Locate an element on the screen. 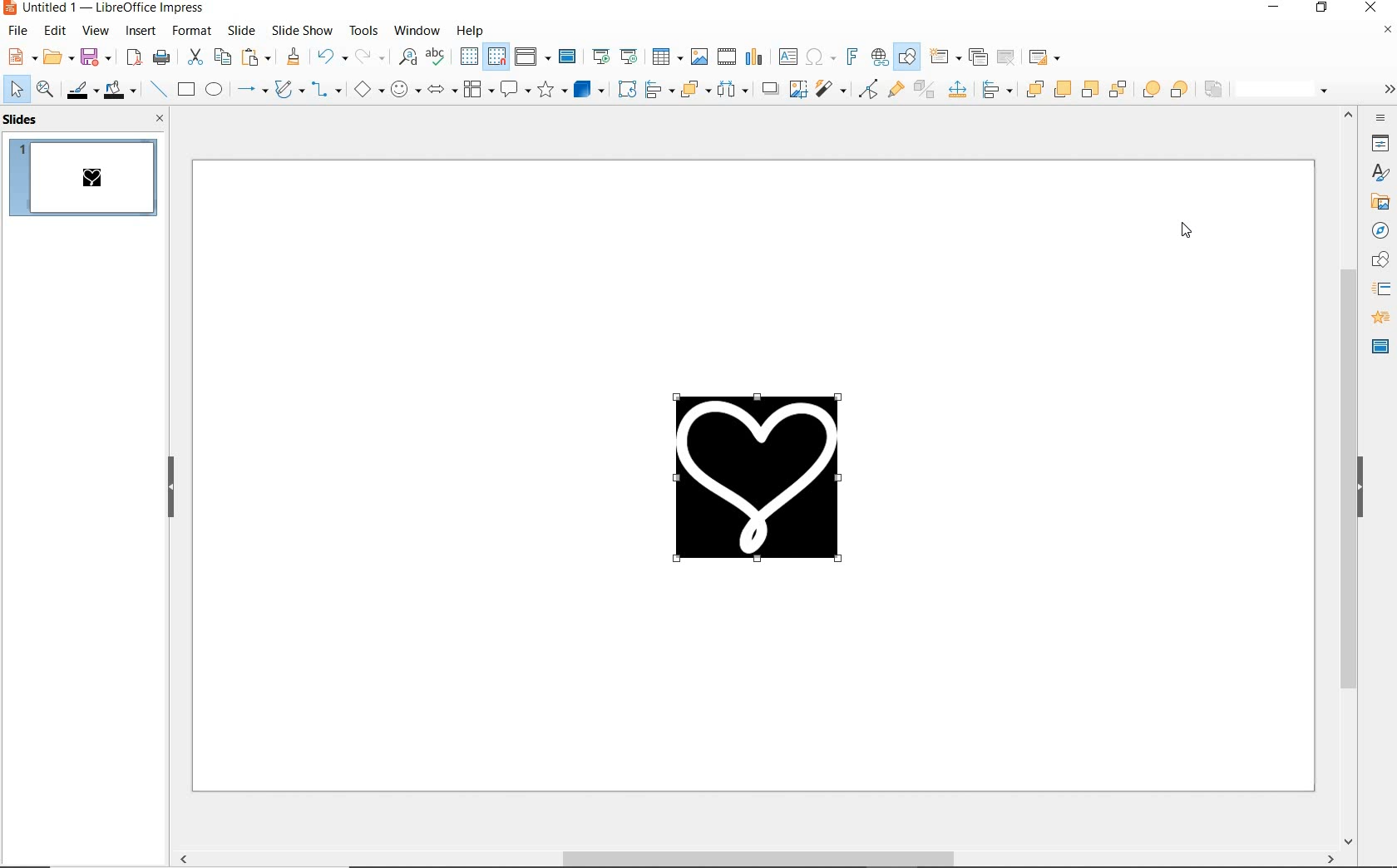  show draw functions is located at coordinates (906, 58).